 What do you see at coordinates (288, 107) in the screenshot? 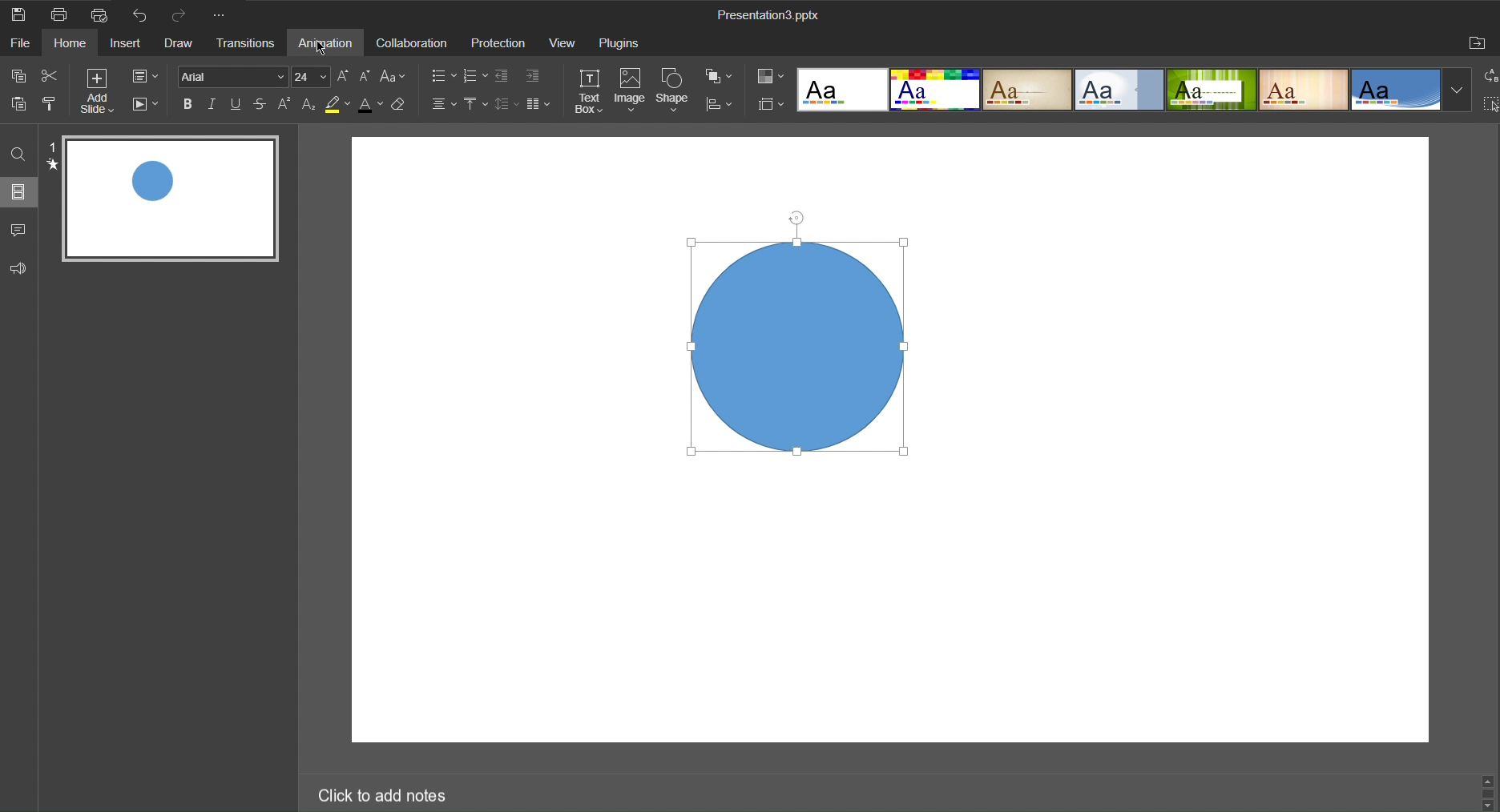
I see `Superscript` at bounding box center [288, 107].